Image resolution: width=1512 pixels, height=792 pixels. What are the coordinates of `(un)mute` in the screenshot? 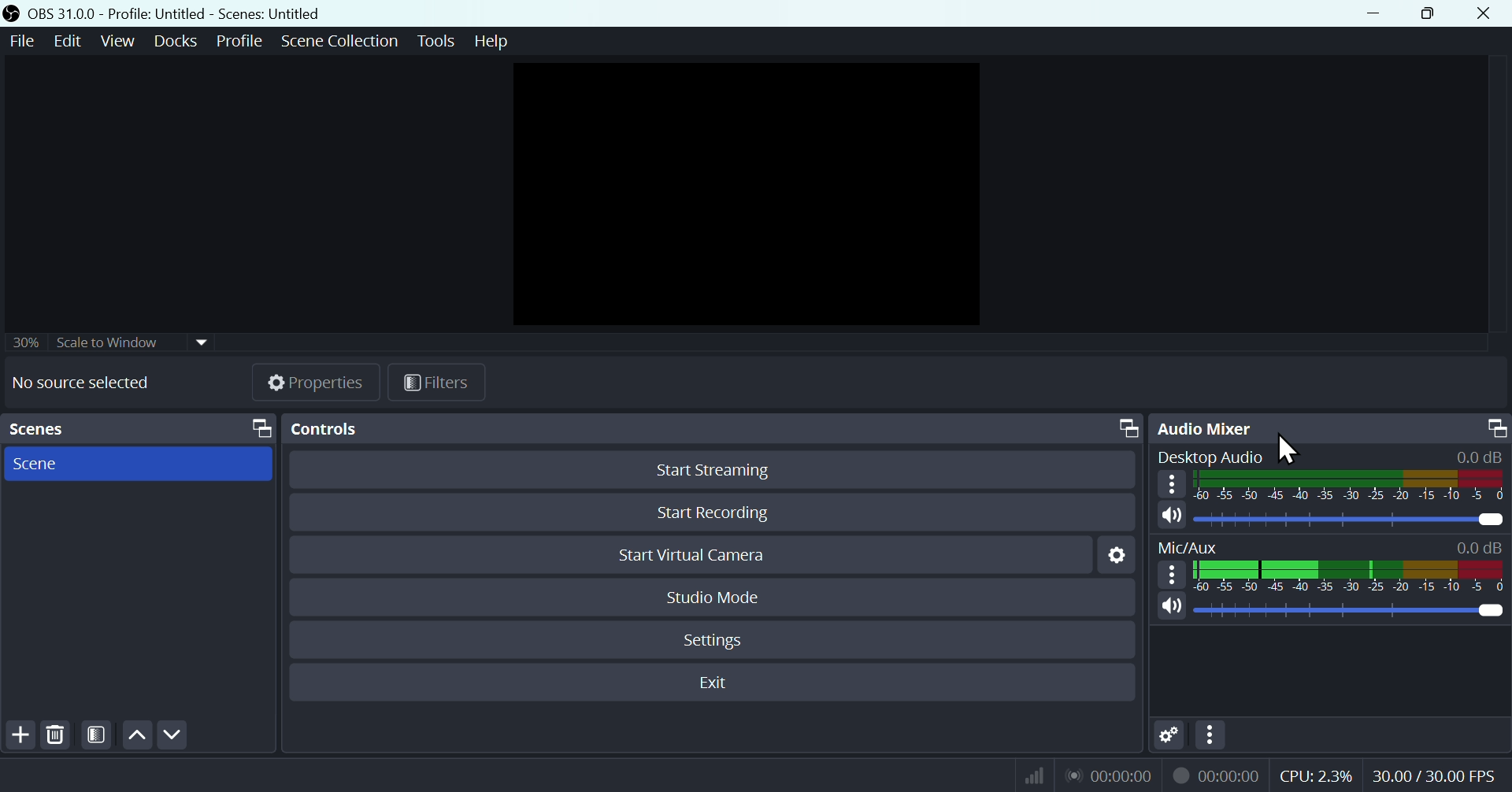 It's located at (1172, 516).